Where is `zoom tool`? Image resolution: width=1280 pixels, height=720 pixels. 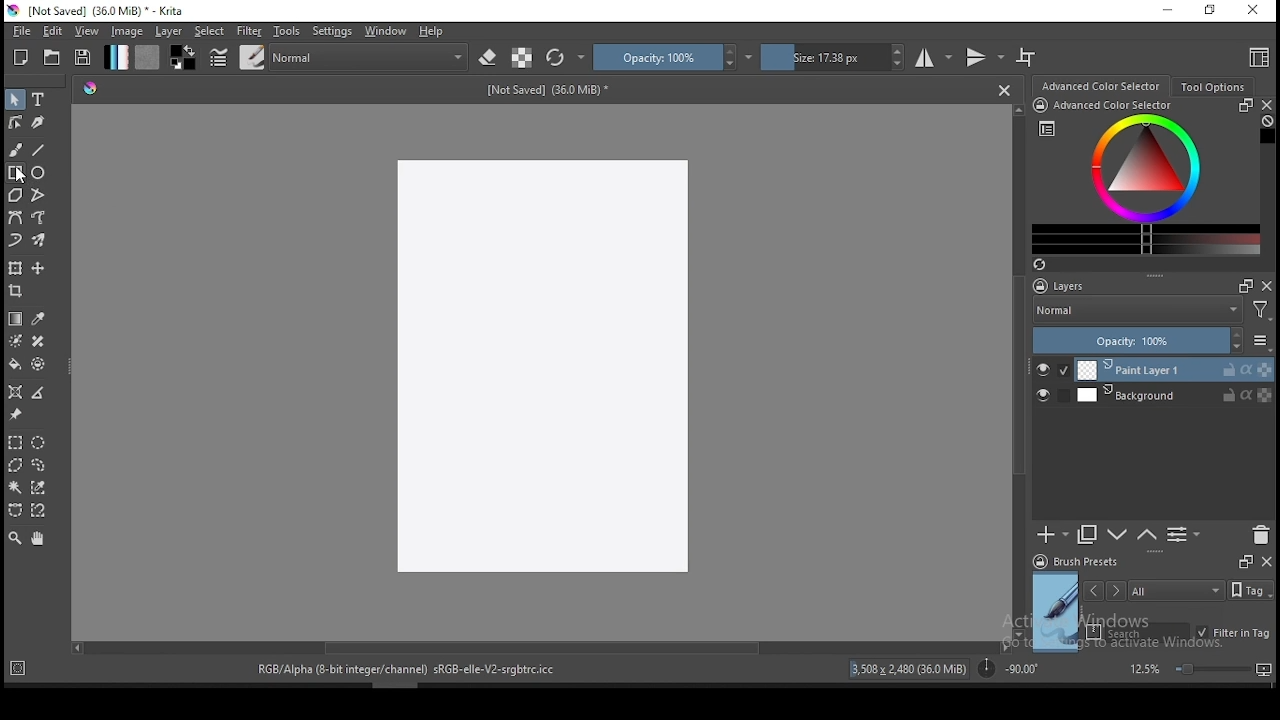
zoom tool is located at coordinates (15, 537).